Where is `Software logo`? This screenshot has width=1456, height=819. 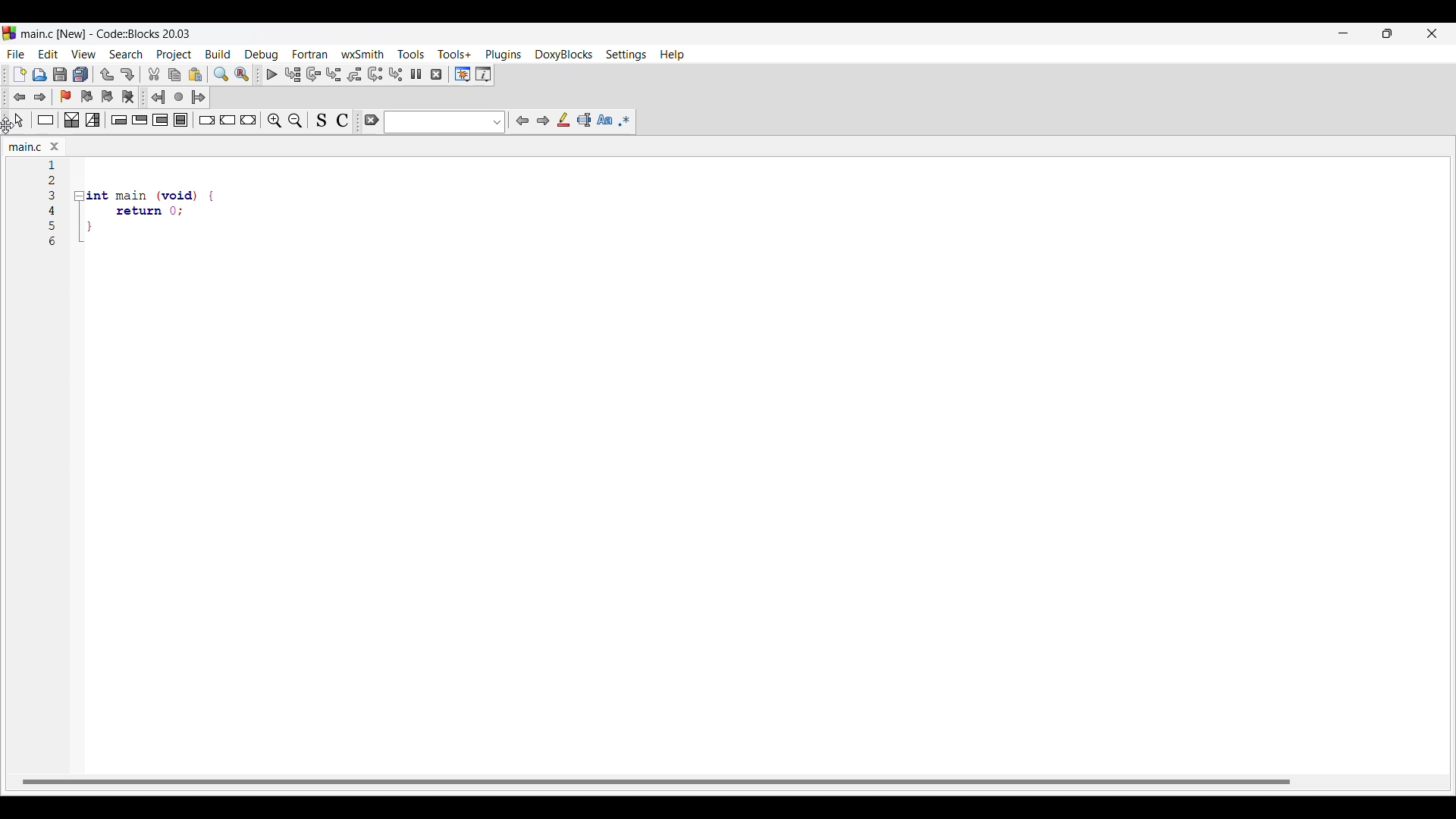 Software logo is located at coordinates (9, 33).